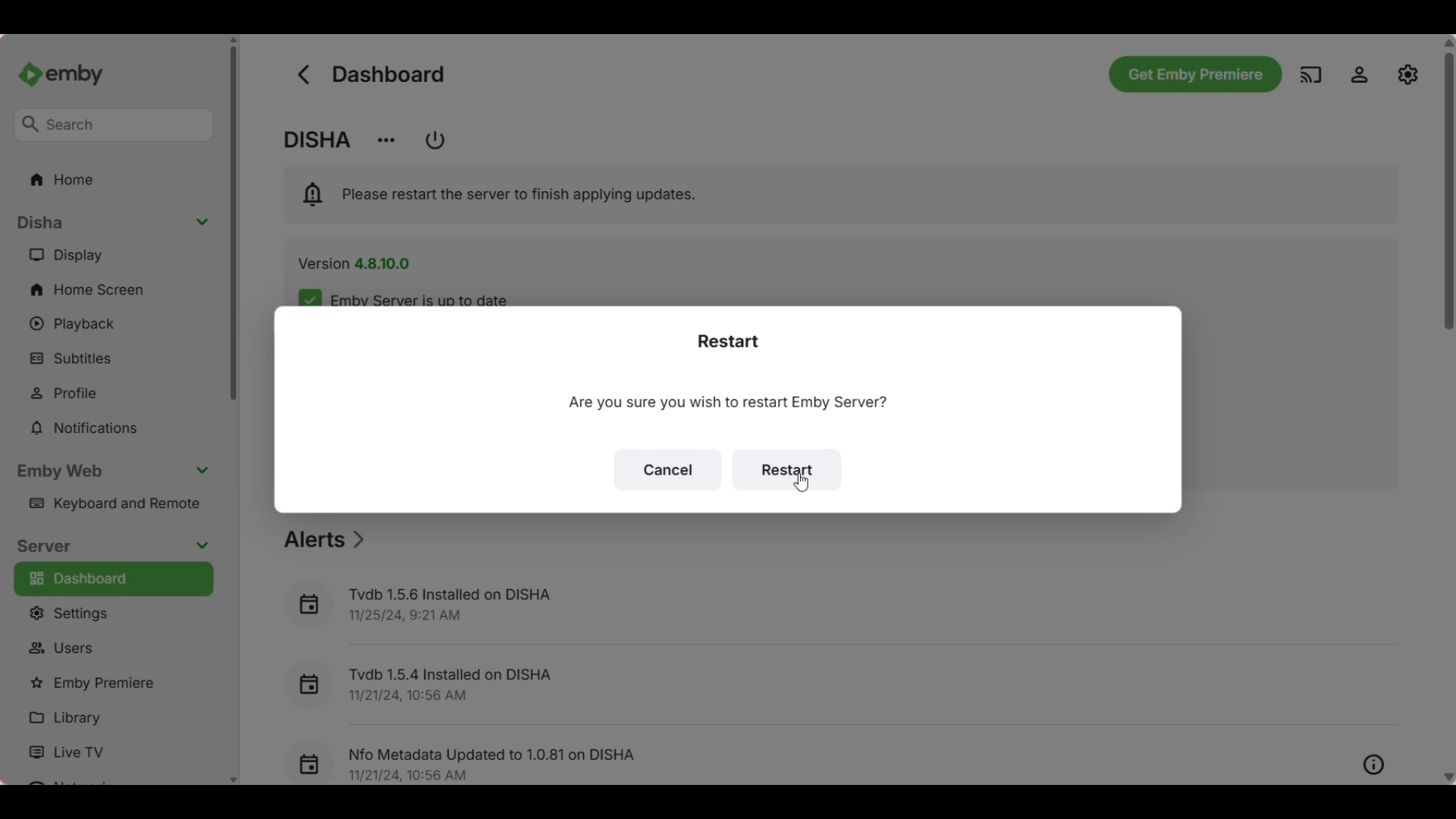 This screenshot has width=1456, height=819. I want to click on Software version, so click(355, 264).